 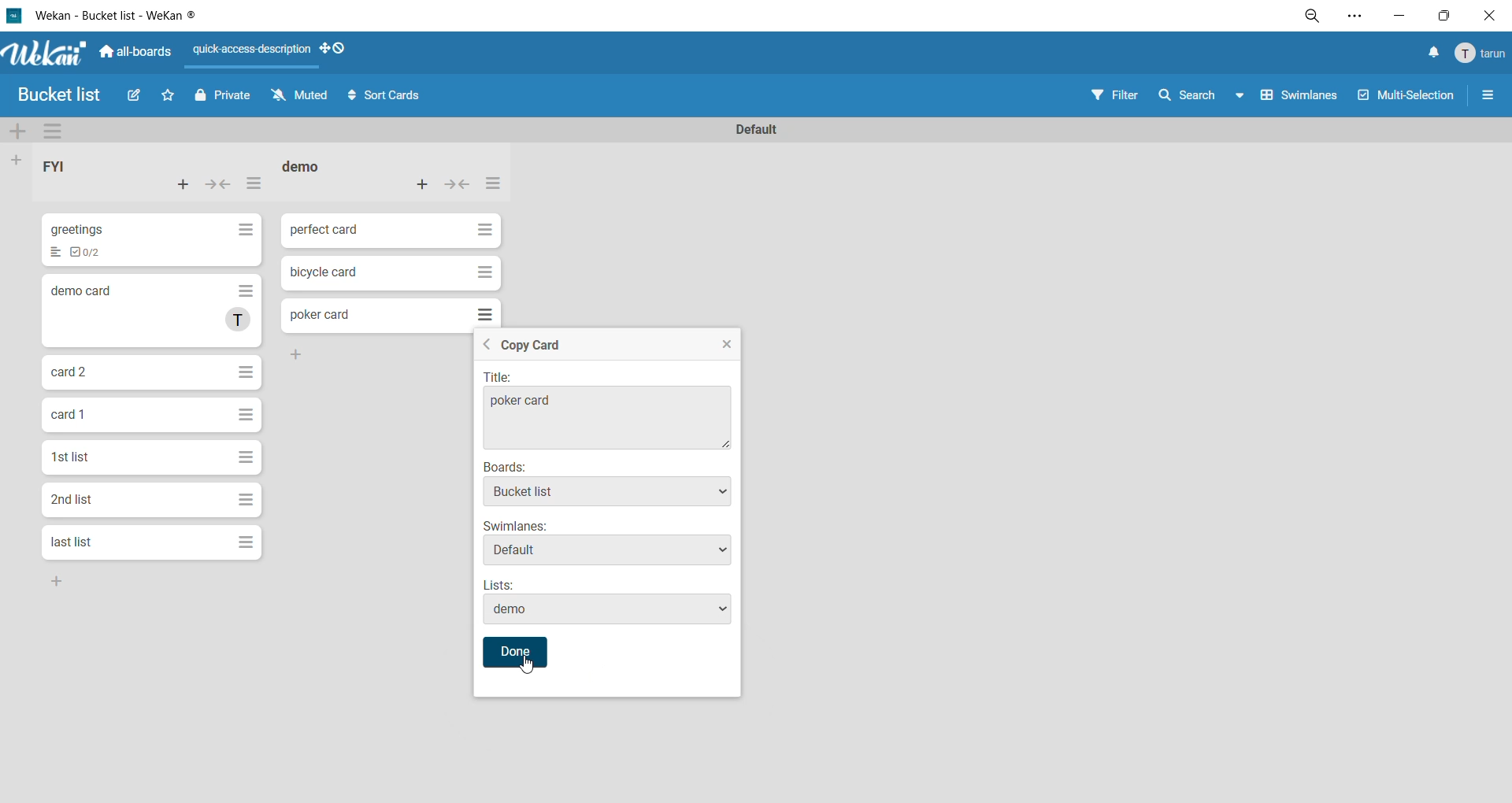 What do you see at coordinates (310, 168) in the screenshot?
I see `list title ` at bounding box center [310, 168].